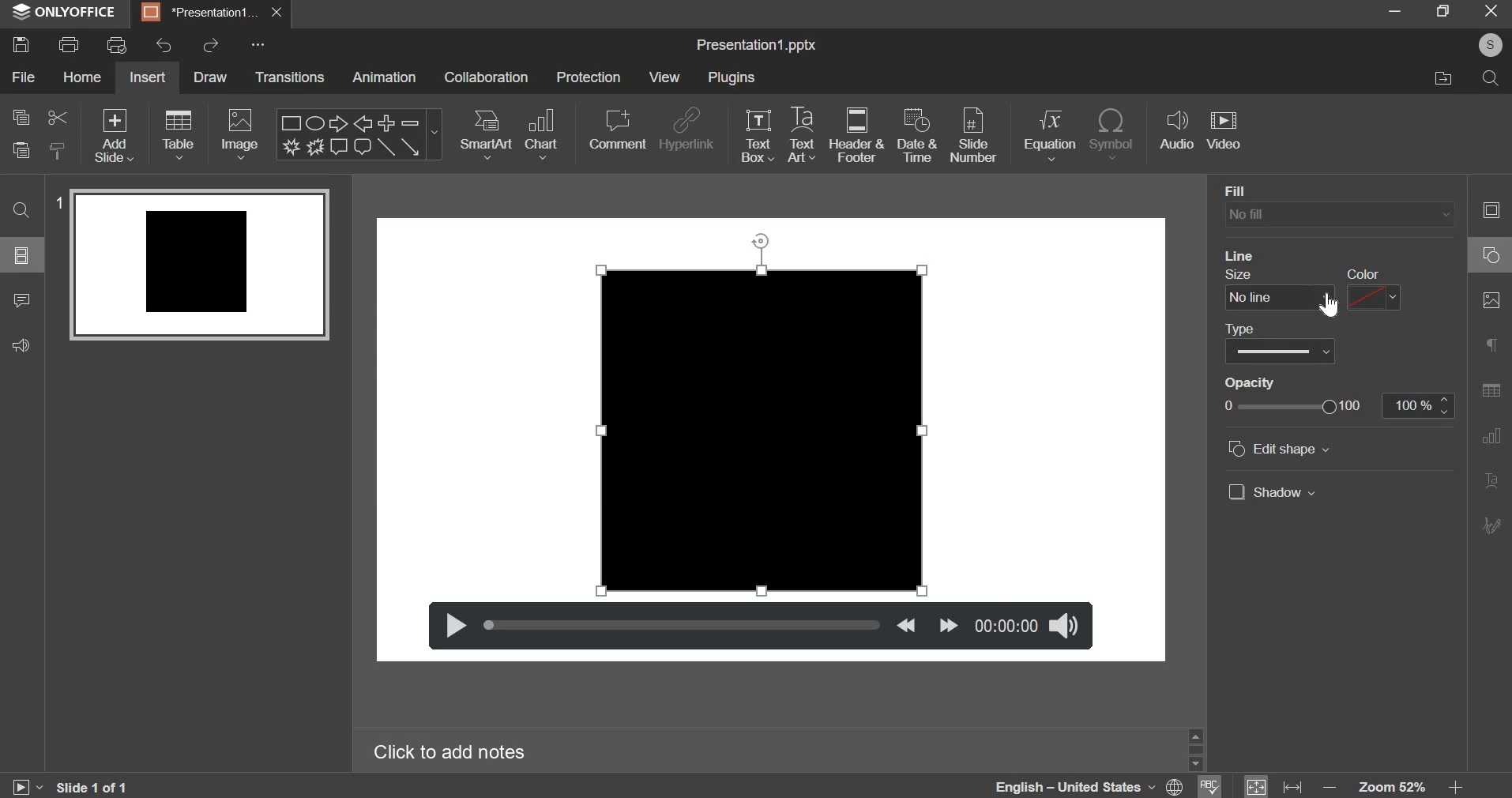 This screenshot has height=798, width=1512. I want to click on Side arrow, so click(409, 147).